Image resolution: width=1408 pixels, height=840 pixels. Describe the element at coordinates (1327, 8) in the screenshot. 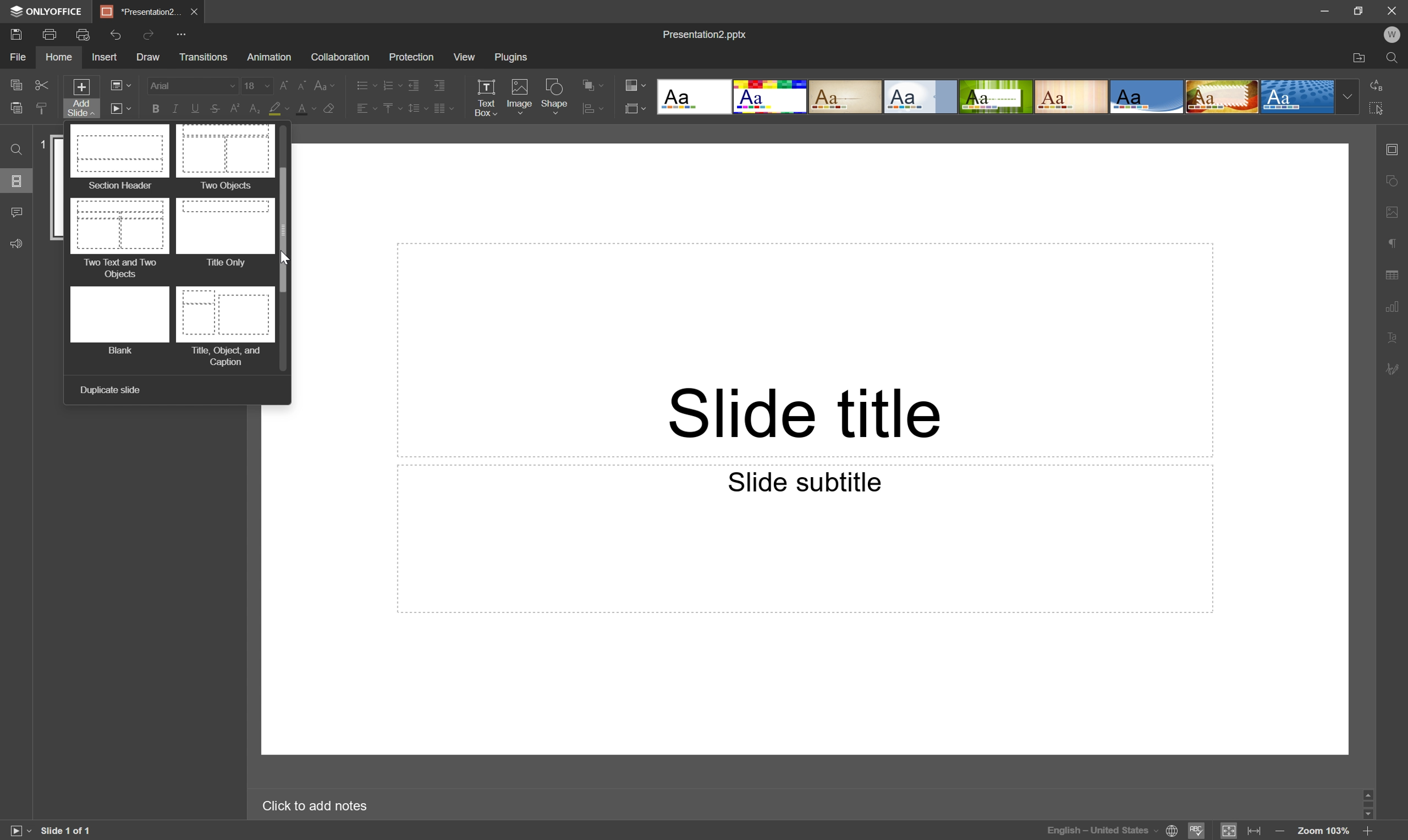

I see `Minimize` at that location.